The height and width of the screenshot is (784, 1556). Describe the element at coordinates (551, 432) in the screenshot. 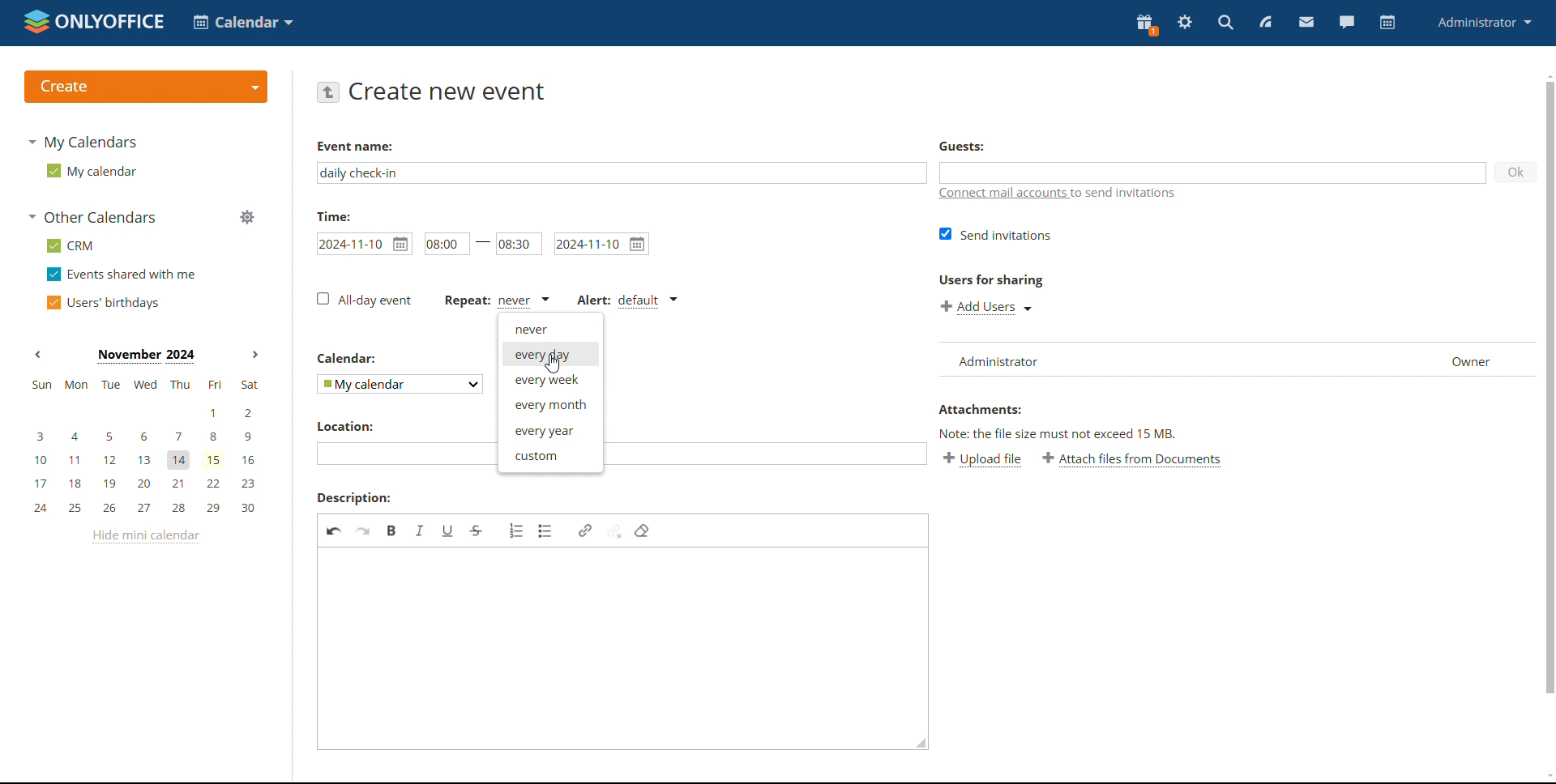

I see `every year` at that location.